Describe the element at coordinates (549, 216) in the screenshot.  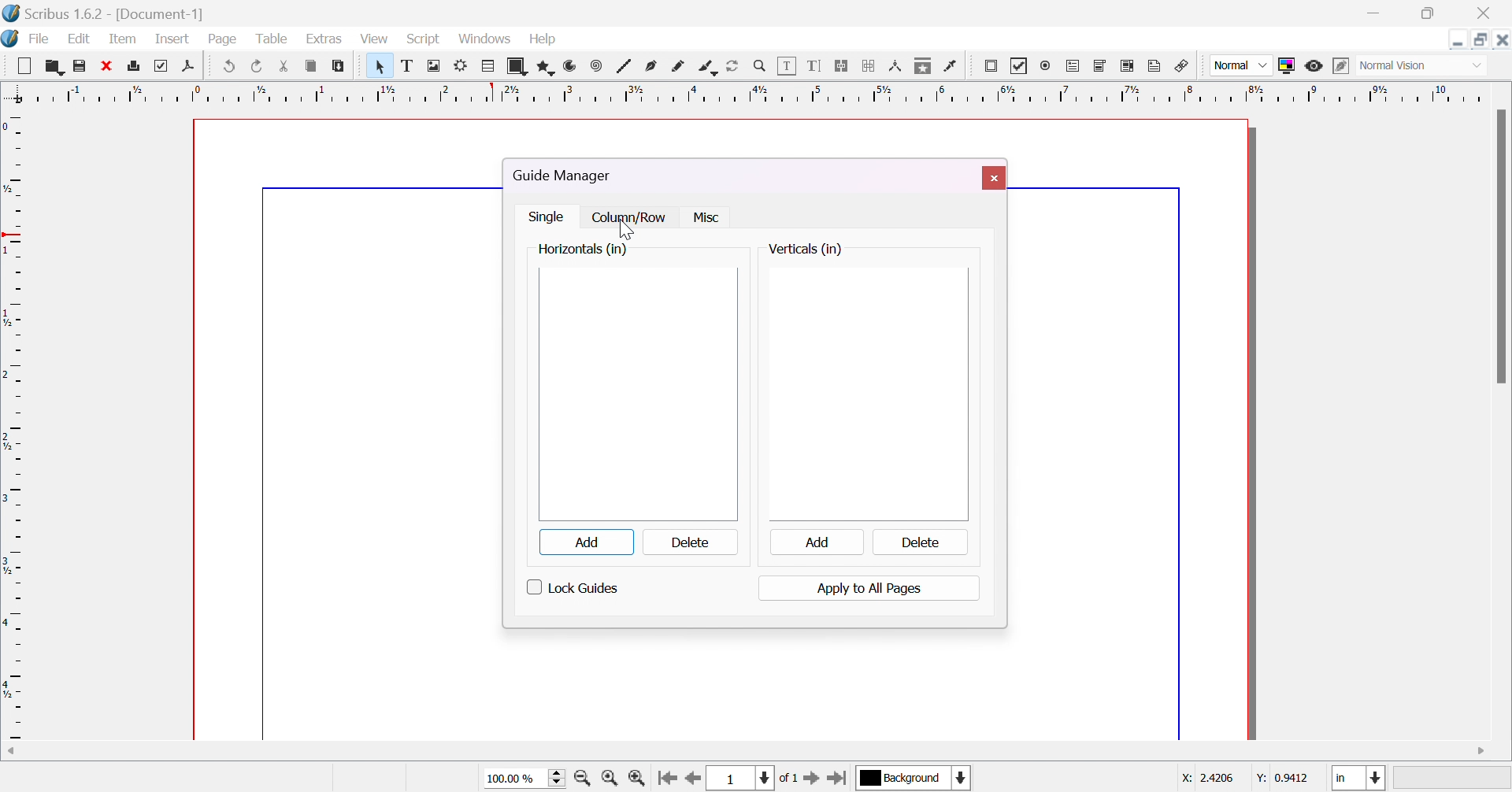
I see `single` at that location.